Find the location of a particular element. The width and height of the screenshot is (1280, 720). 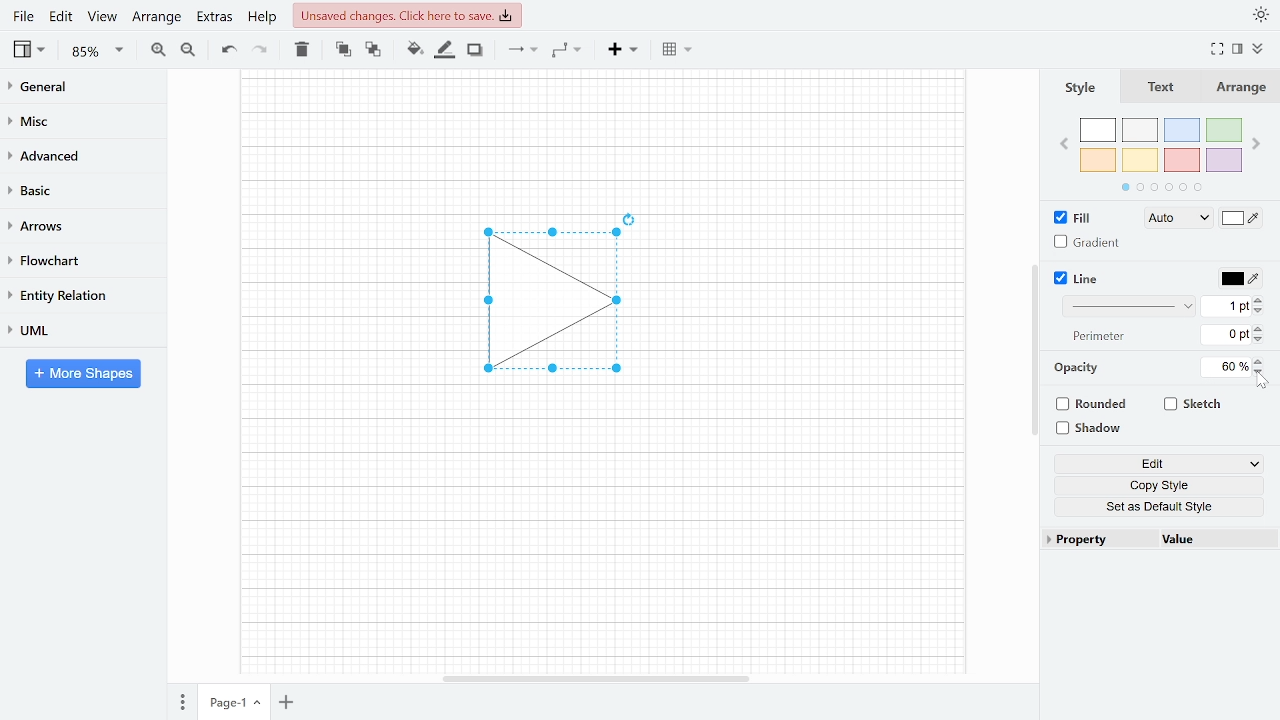

Format (Ctrl+Shift+P) is located at coordinates (1238, 50).